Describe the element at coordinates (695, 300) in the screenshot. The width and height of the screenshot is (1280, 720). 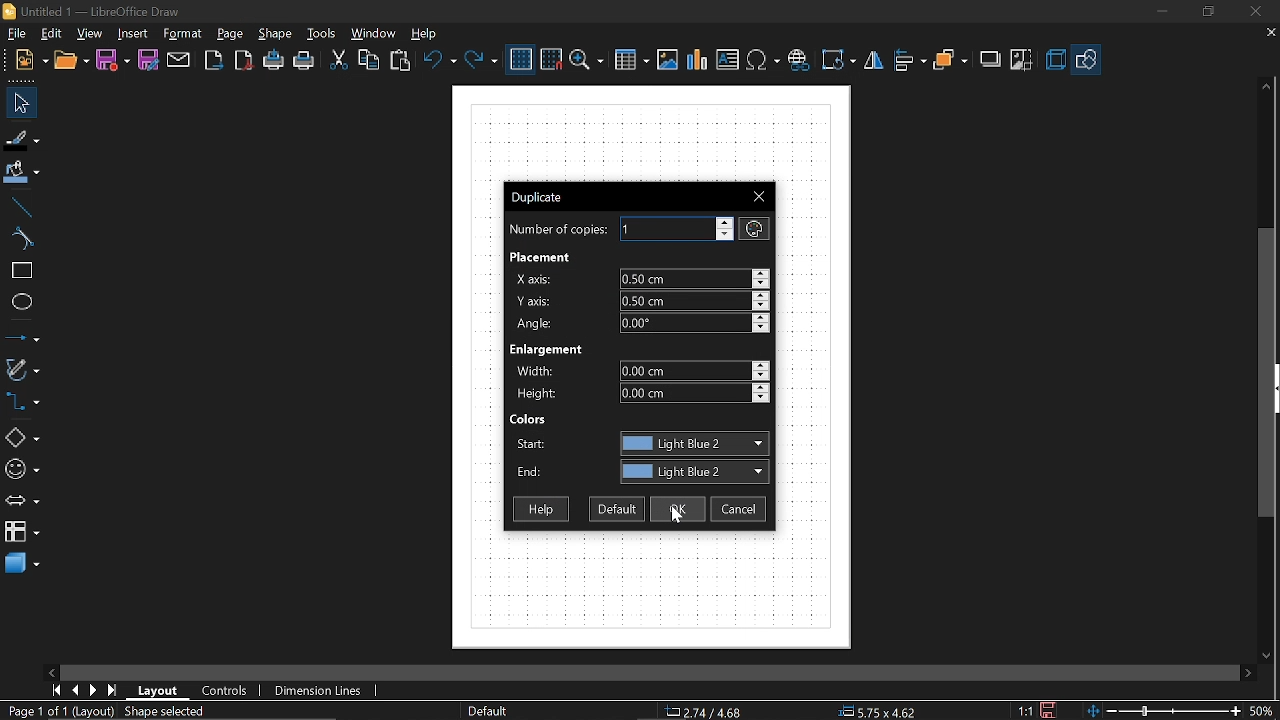
I see `y axis` at that location.